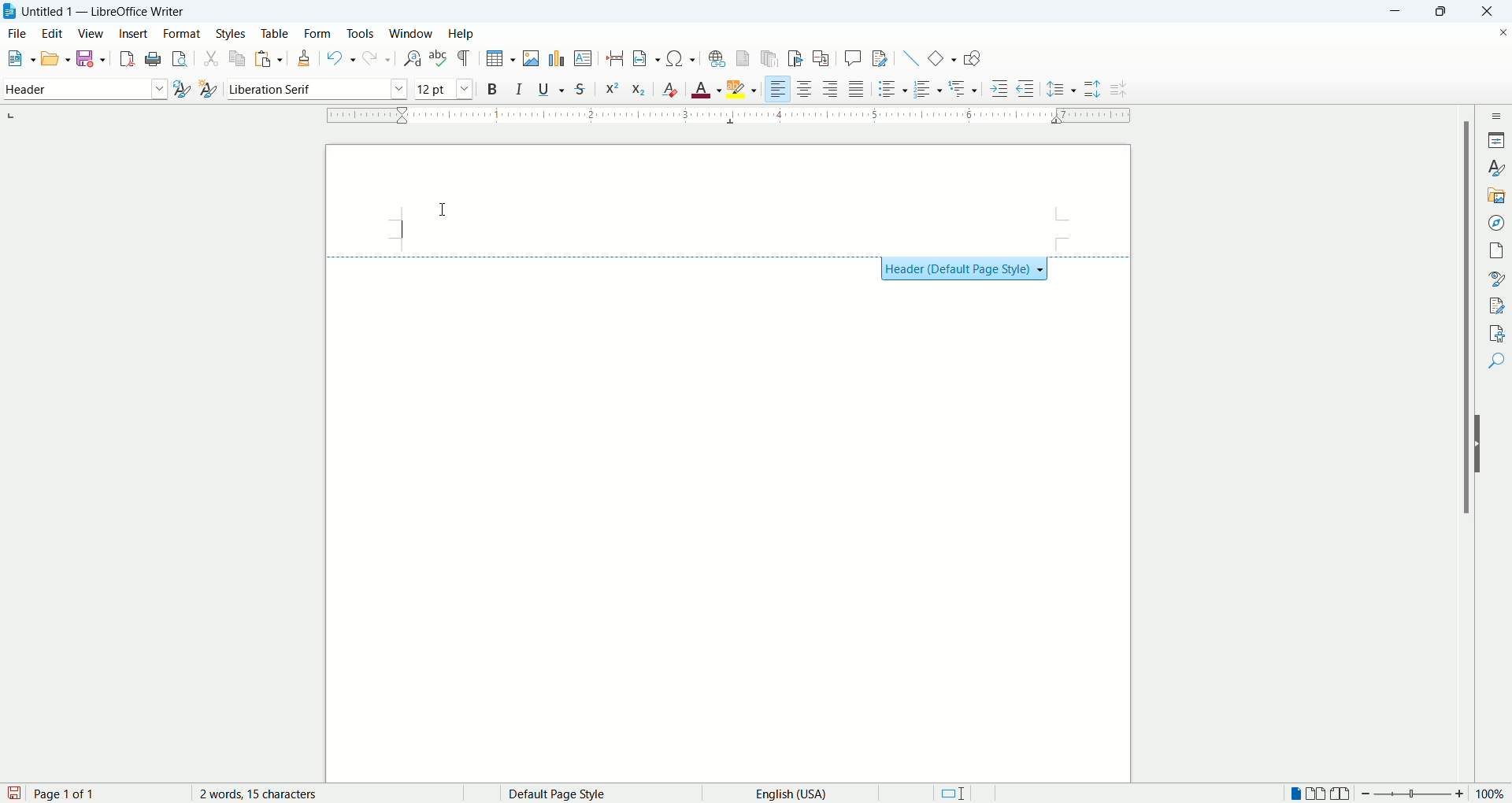 This screenshot has height=803, width=1512. Describe the element at coordinates (879, 59) in the screenshot. I see `track changes` at that location.